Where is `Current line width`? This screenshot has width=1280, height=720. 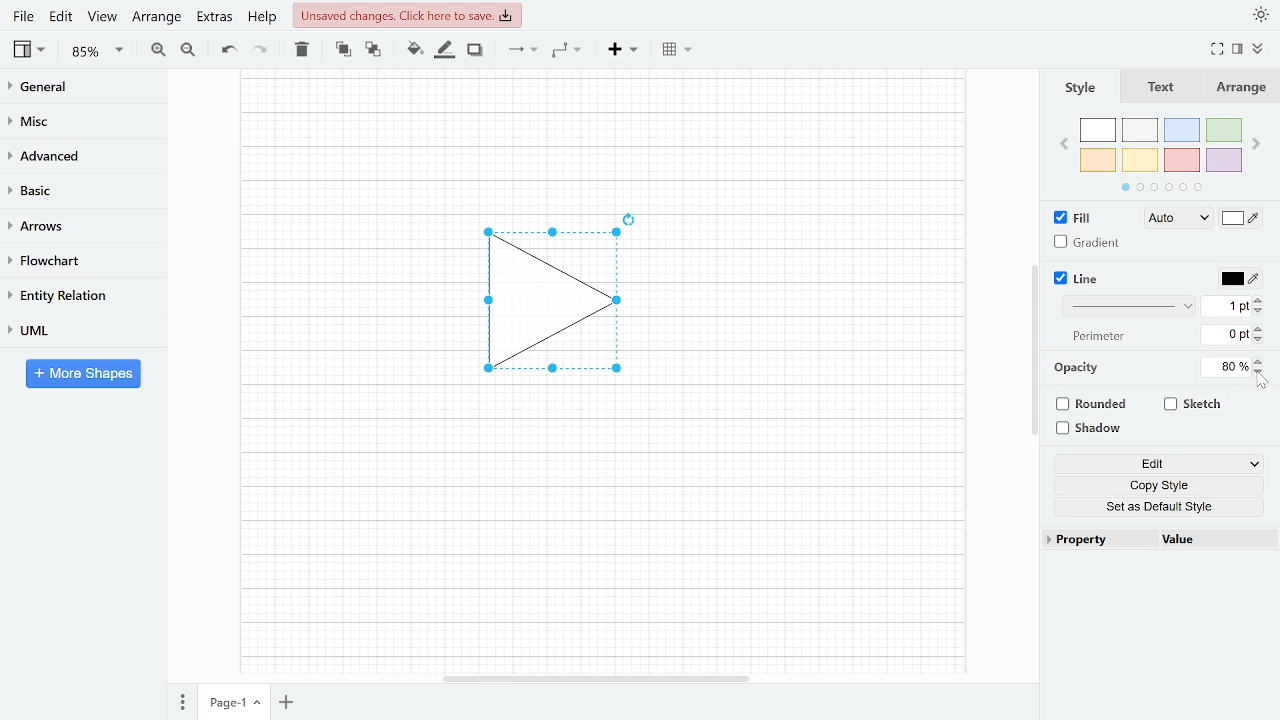 Current line width is located at coordinates (1227, 305).